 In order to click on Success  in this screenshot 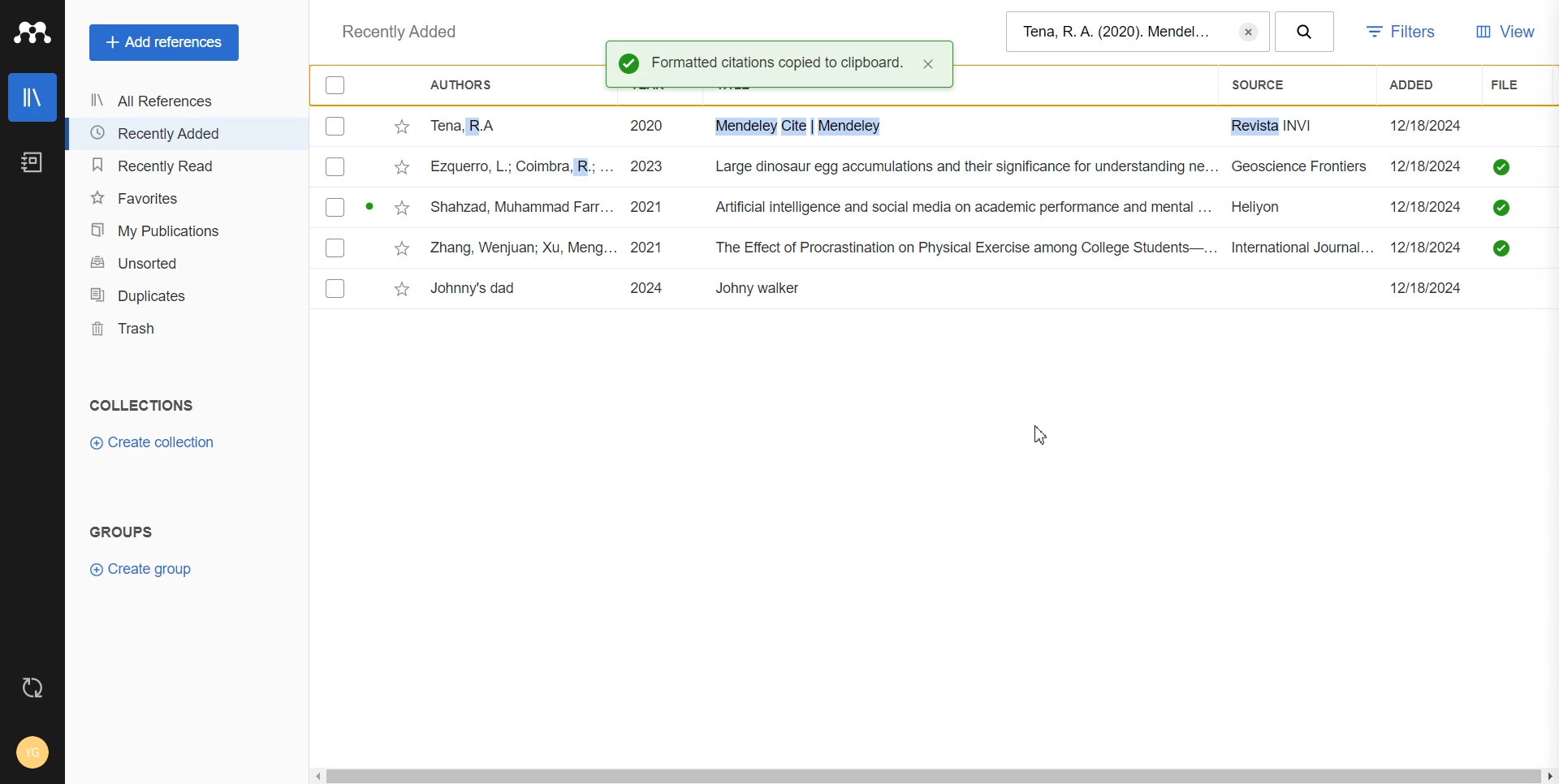, I will do `click(628, 62)`.